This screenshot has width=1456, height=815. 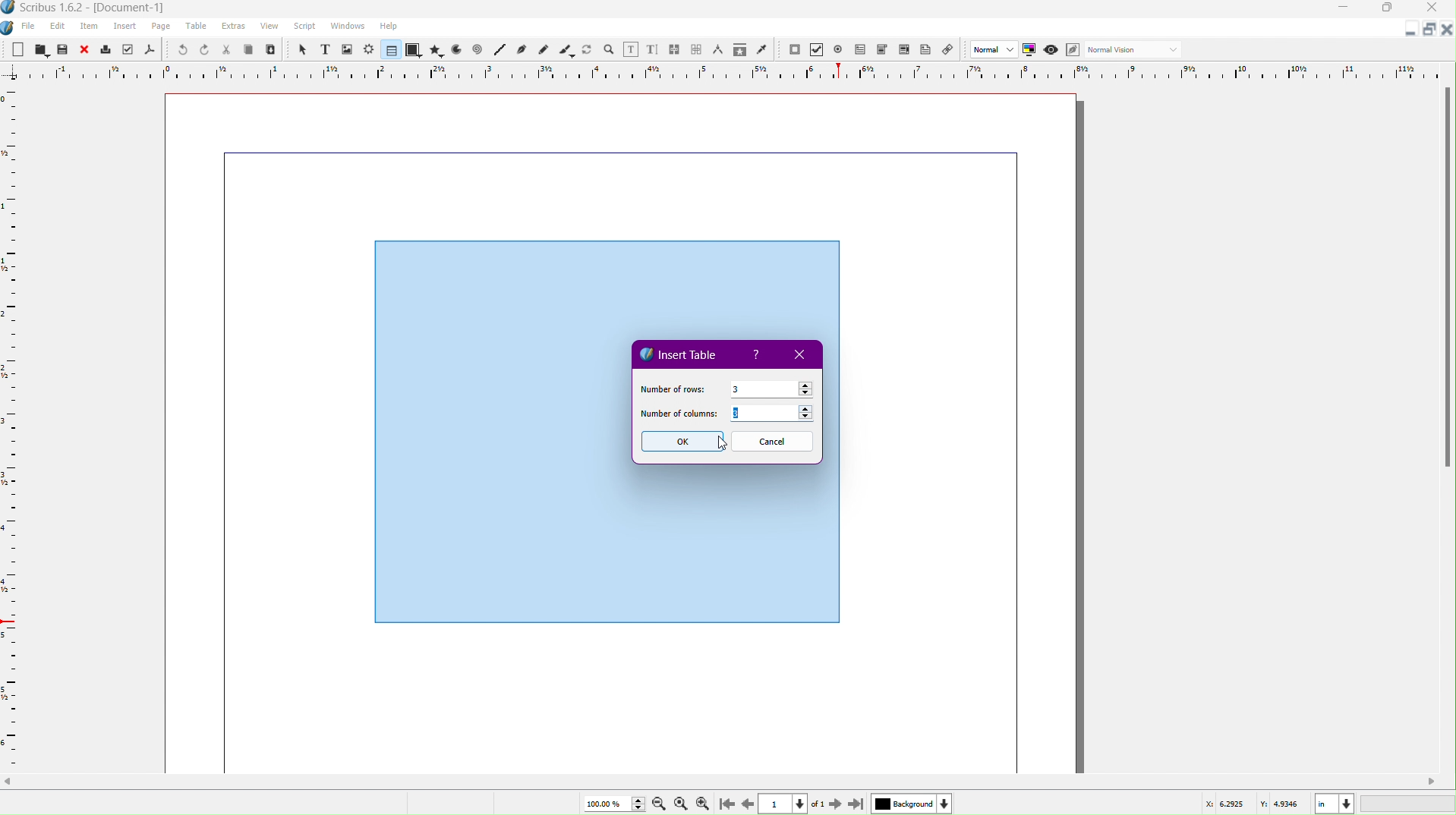 What do you see at coordinates (1136, 50) in the screenshot?
I see `Select the visual appearance of the display` at bounding box center [1136, 50].